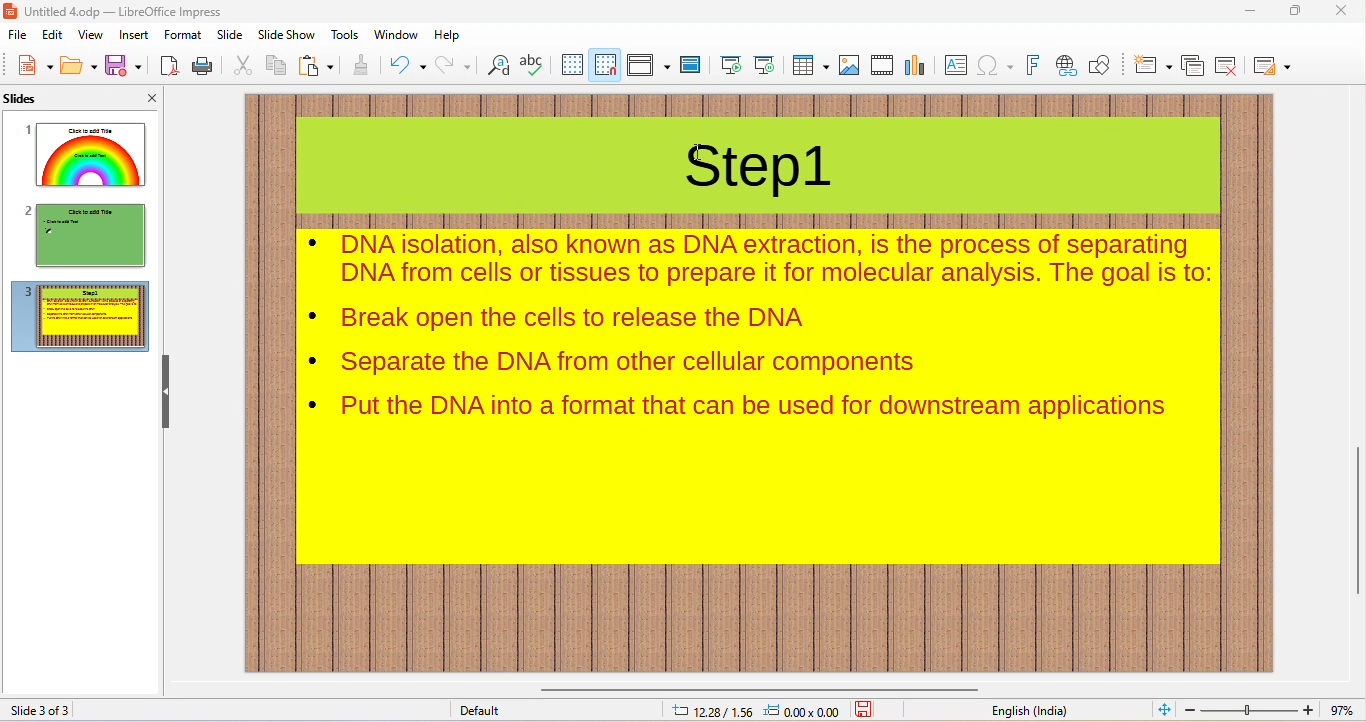 The width and height of the screenshot is (1366, 722). I want to click on tools, so click(346, 36).